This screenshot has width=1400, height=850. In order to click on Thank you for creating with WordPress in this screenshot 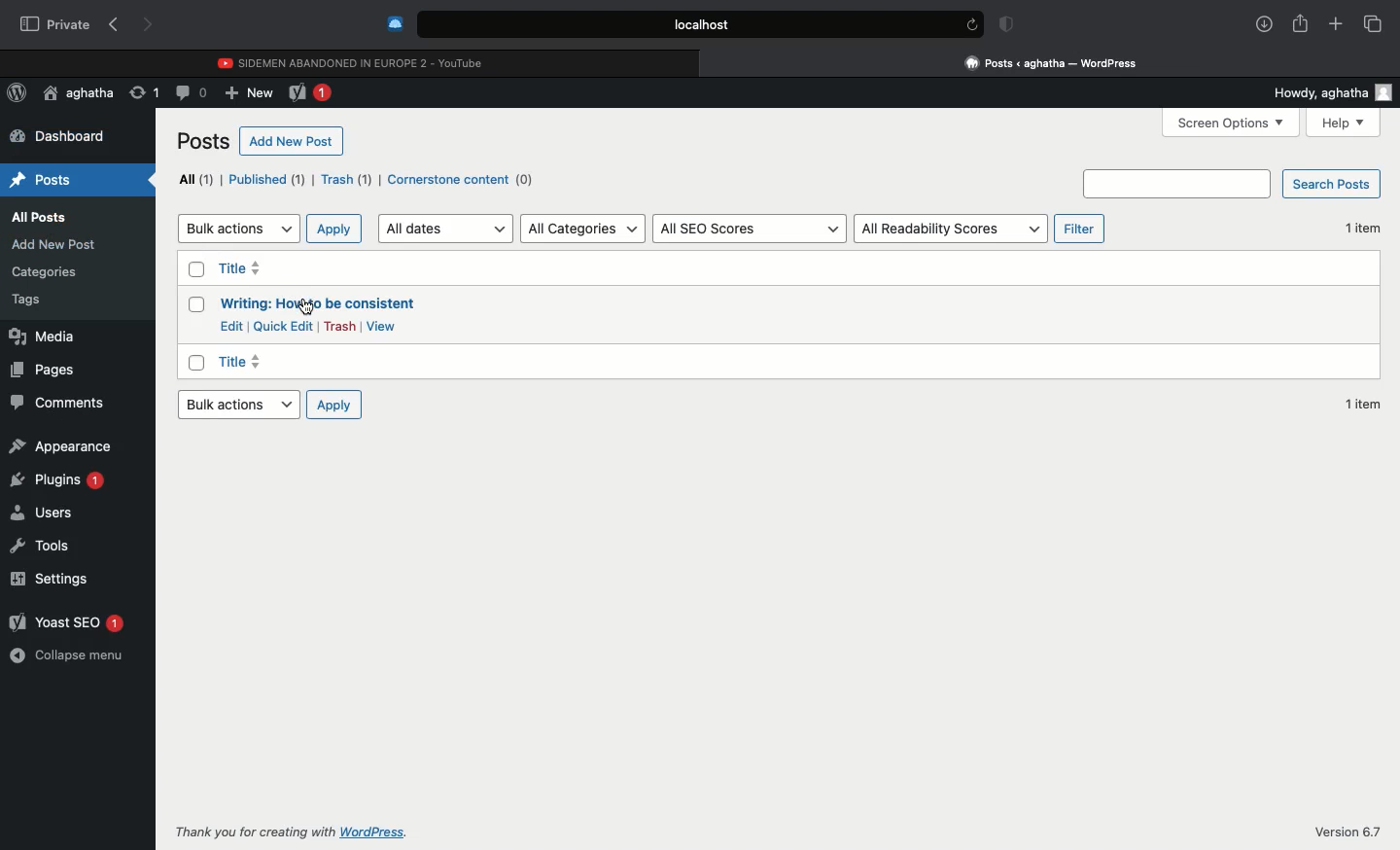, I will do `click(291, 832)`.